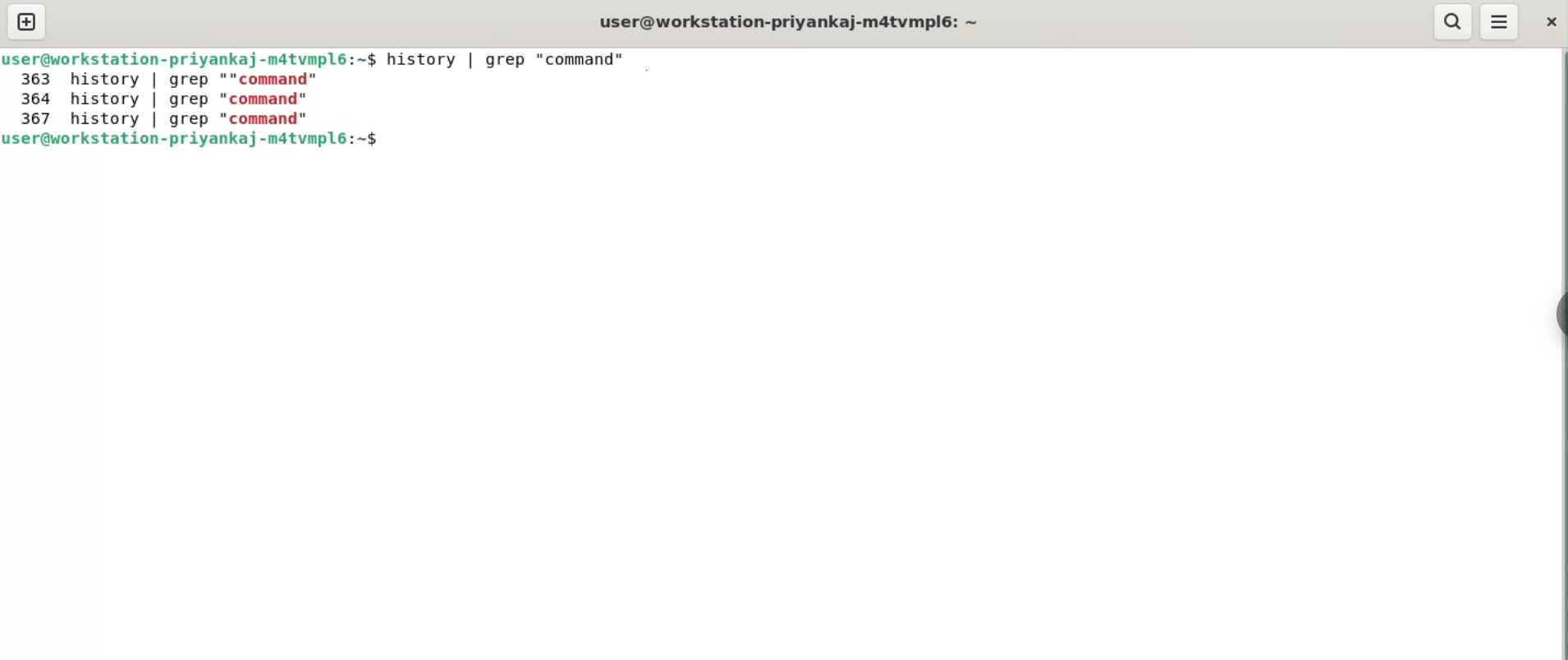 The image size is (1568, 660). I want to click on menu, so click(1498, 21).